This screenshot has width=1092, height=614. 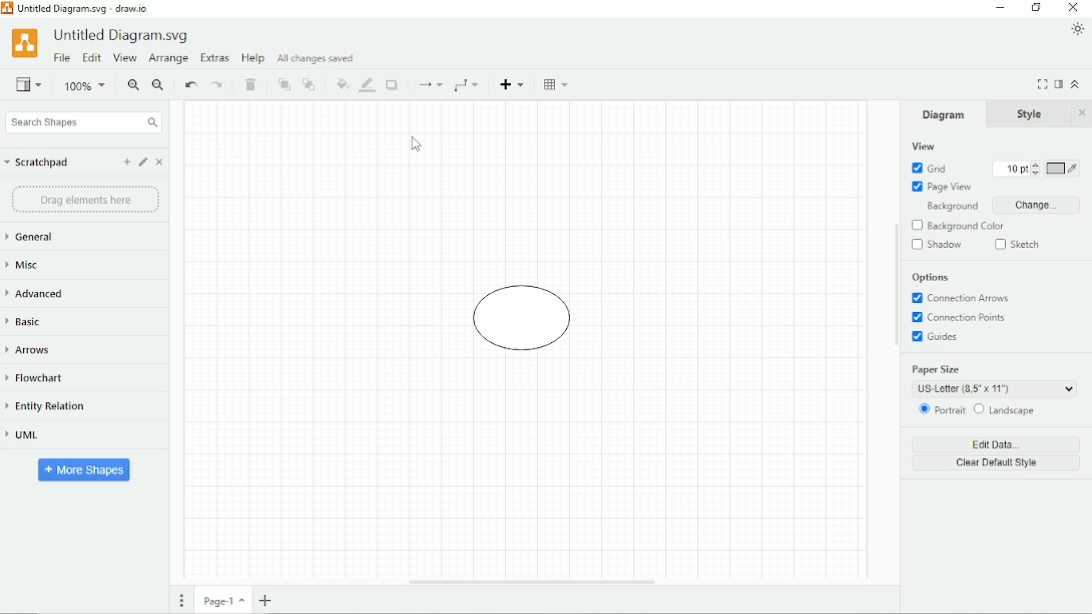 I want to click on Flowchart, so click(x=38, y=377).